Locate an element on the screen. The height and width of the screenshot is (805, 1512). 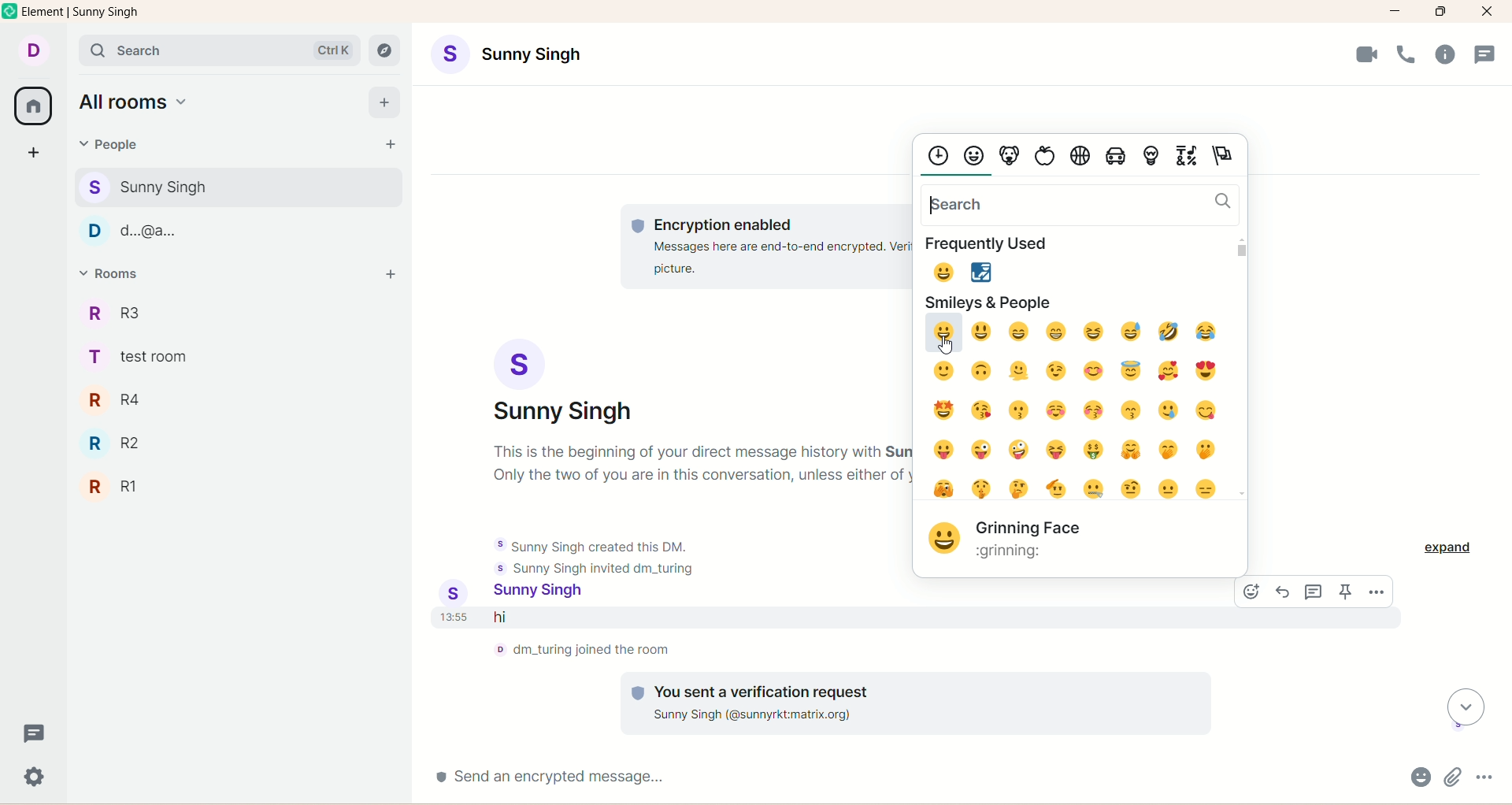
options is located at coordinates (1377, 592).